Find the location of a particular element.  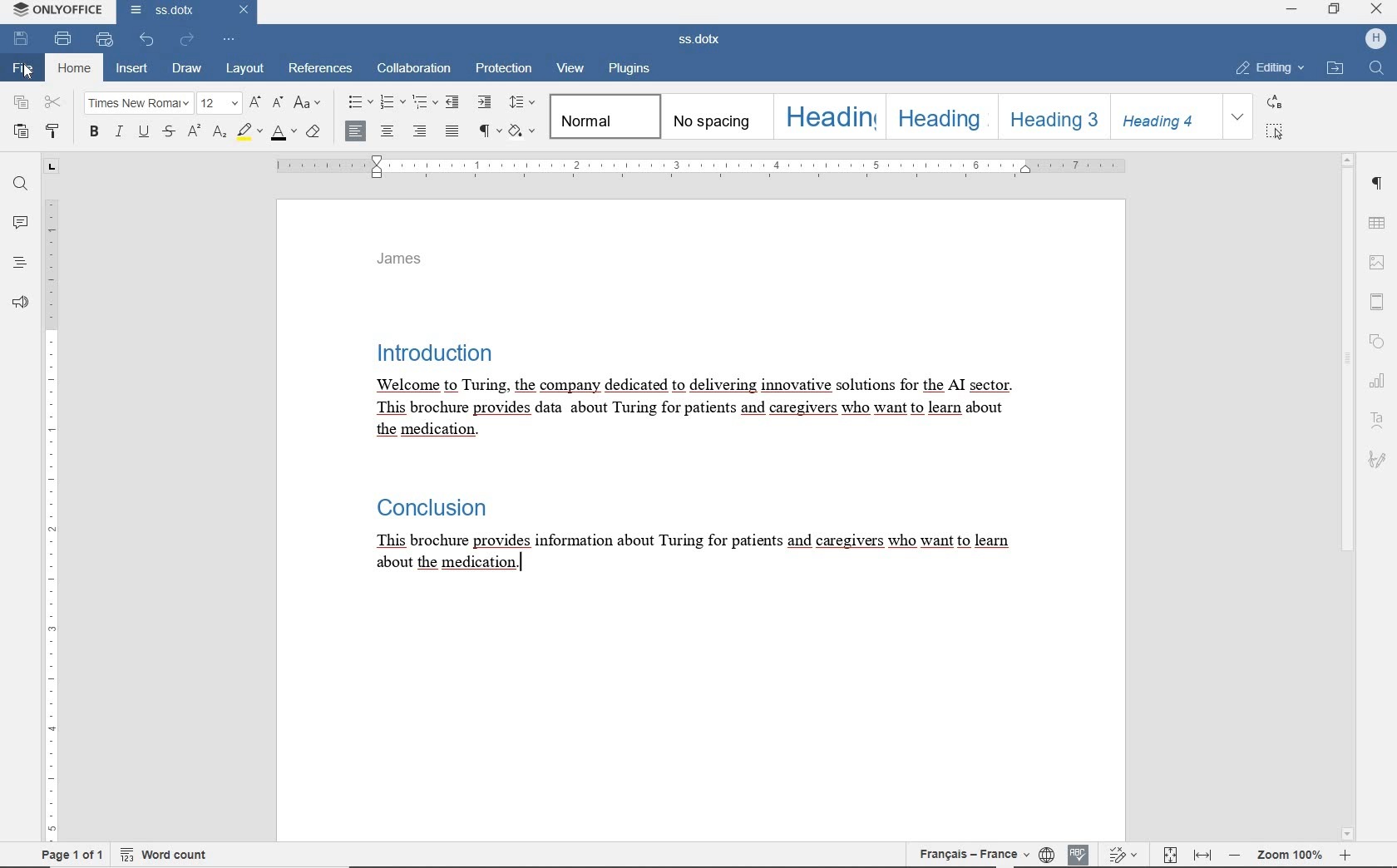

RULER is located at coordinates (47, 519).